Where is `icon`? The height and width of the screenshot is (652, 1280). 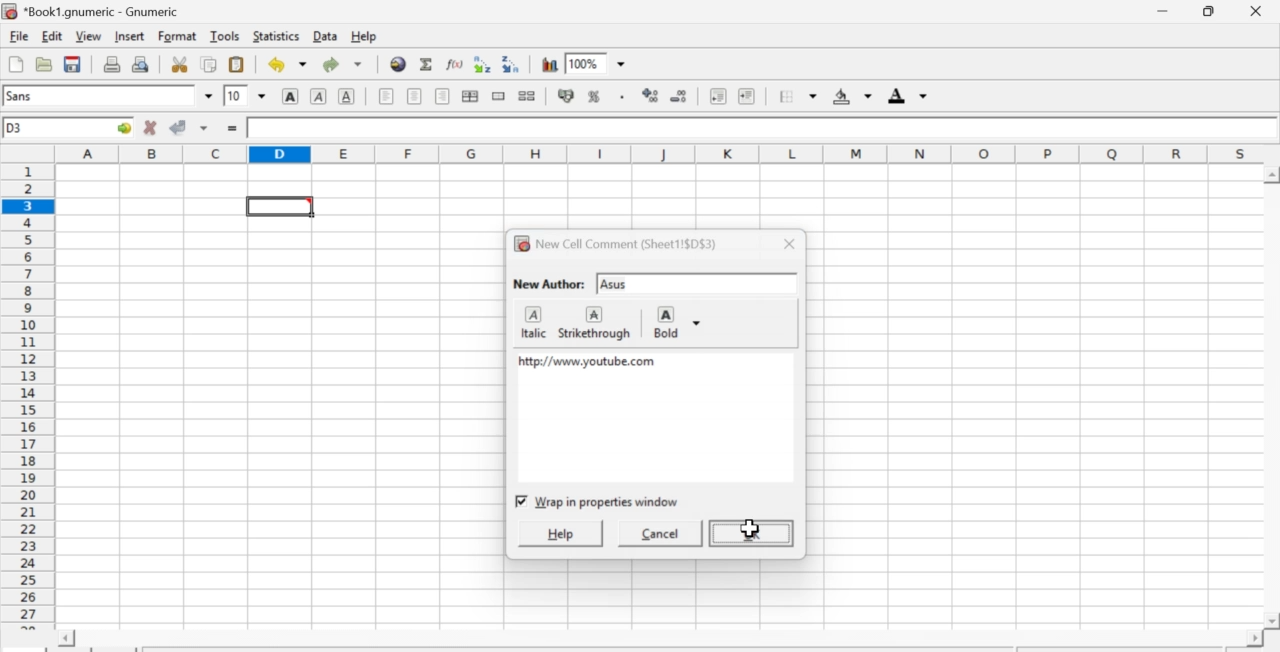
icon is located at coordinates (10, 11).